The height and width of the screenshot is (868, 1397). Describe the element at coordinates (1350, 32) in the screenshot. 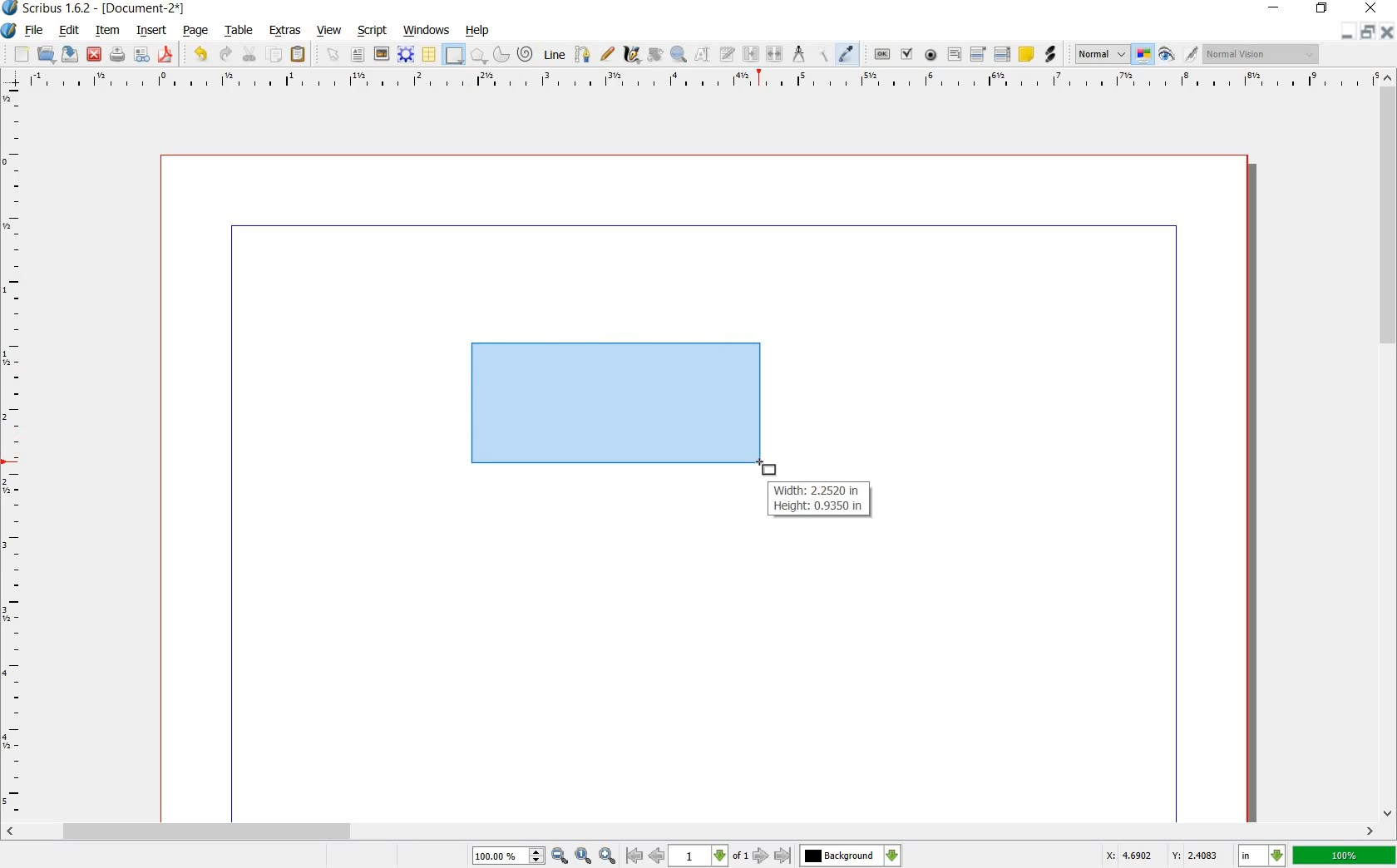

I see `MINIMIZE` at that location.